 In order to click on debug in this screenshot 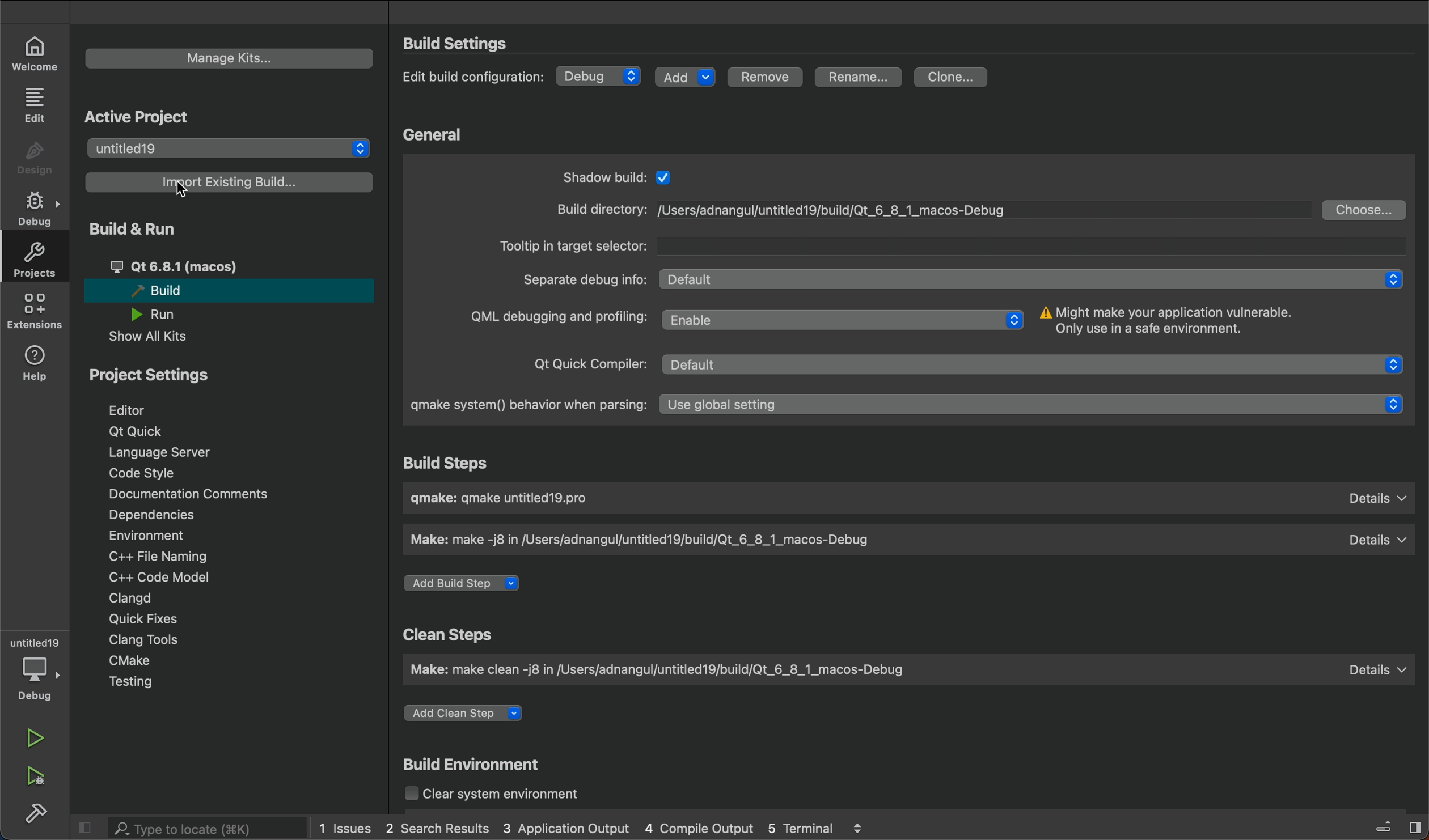, I will do `click(39, 679)`.